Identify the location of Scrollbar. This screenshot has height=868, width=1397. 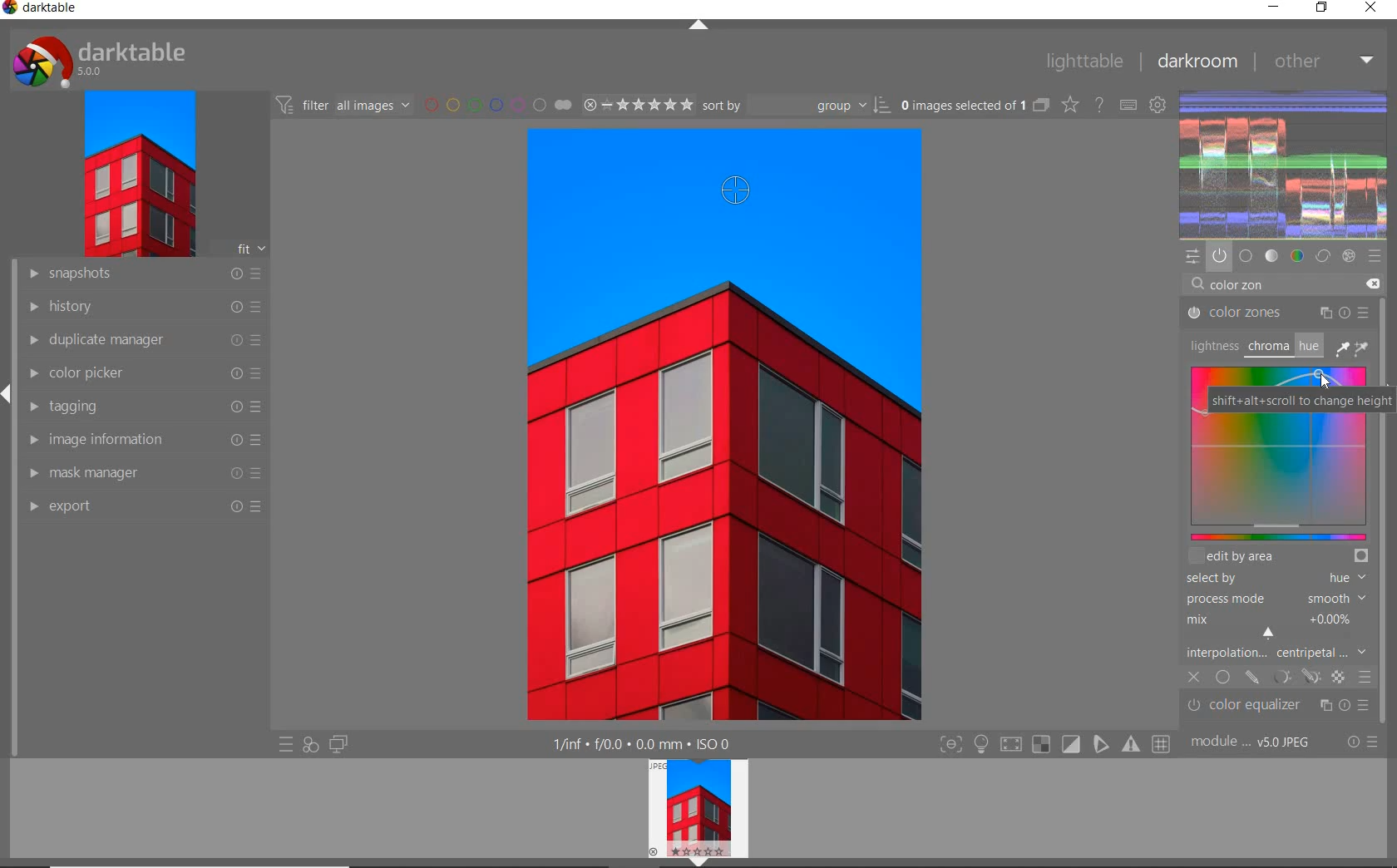
(1386, 540).